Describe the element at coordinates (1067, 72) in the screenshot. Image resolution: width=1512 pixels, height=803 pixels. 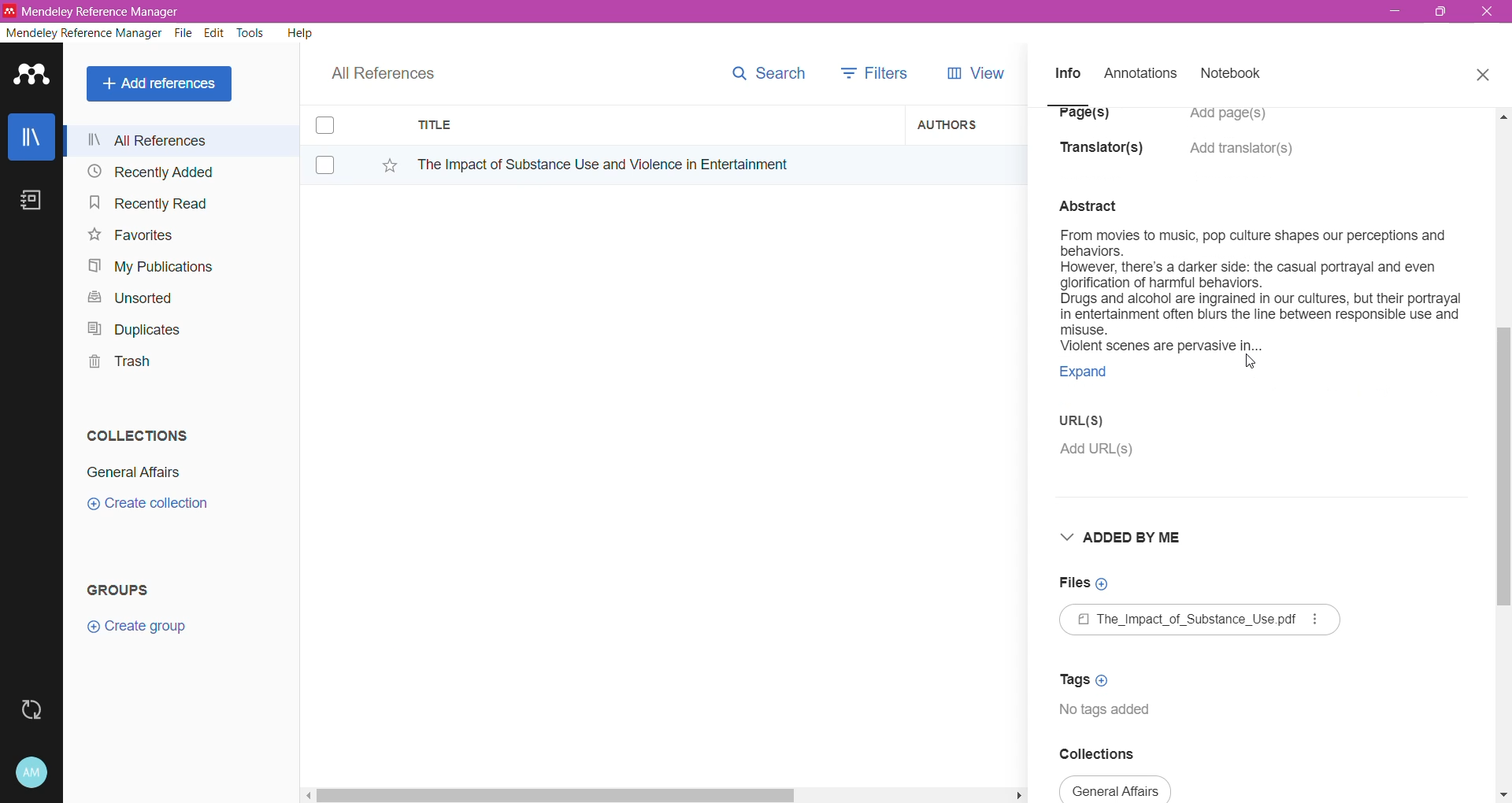
I see `Info` at that location.